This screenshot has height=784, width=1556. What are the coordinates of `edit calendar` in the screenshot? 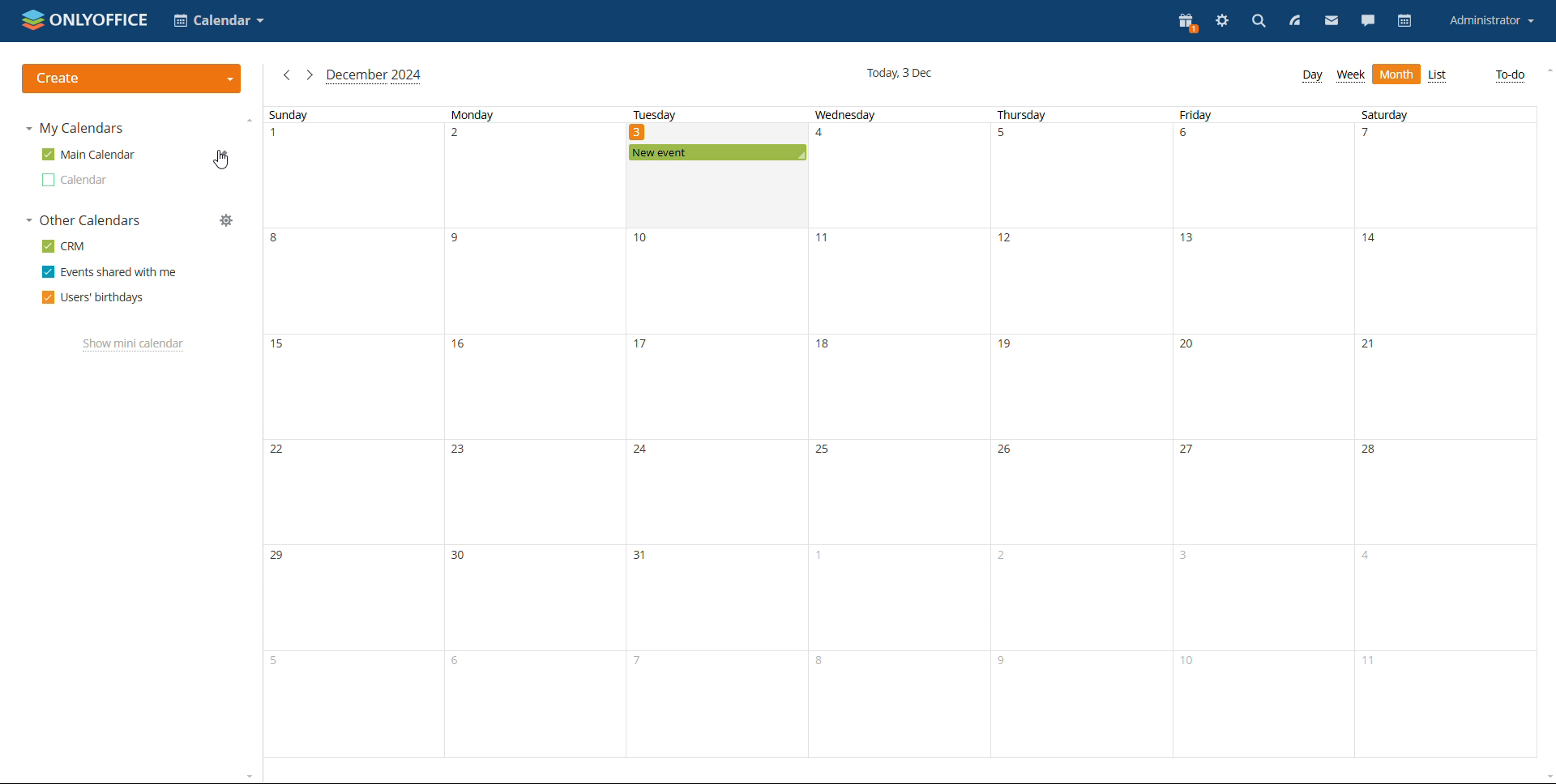 It's located at (222, 156).